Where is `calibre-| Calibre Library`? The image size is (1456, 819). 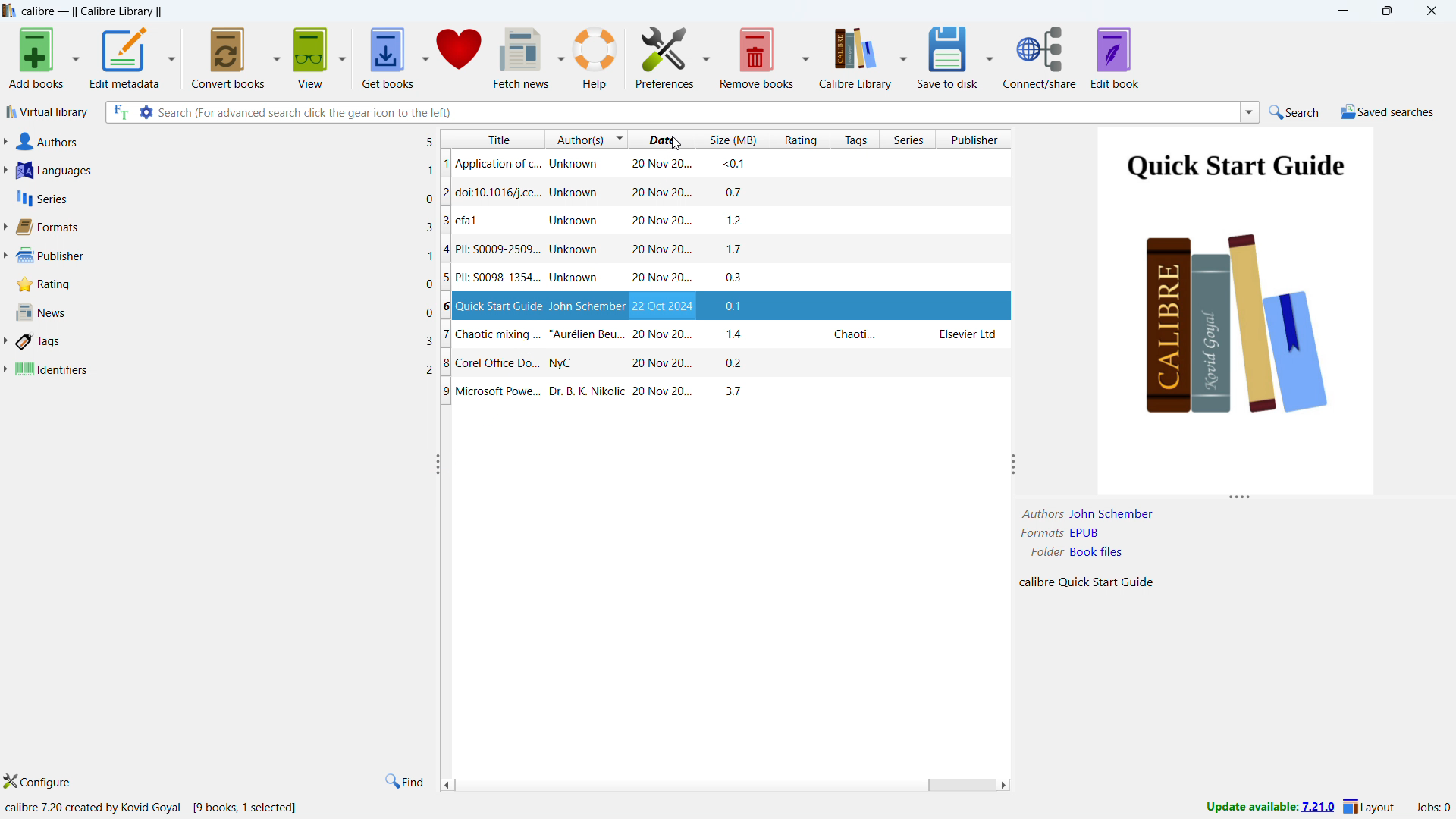
calibre-| Calibre Library is located at coordinates (91, 12).